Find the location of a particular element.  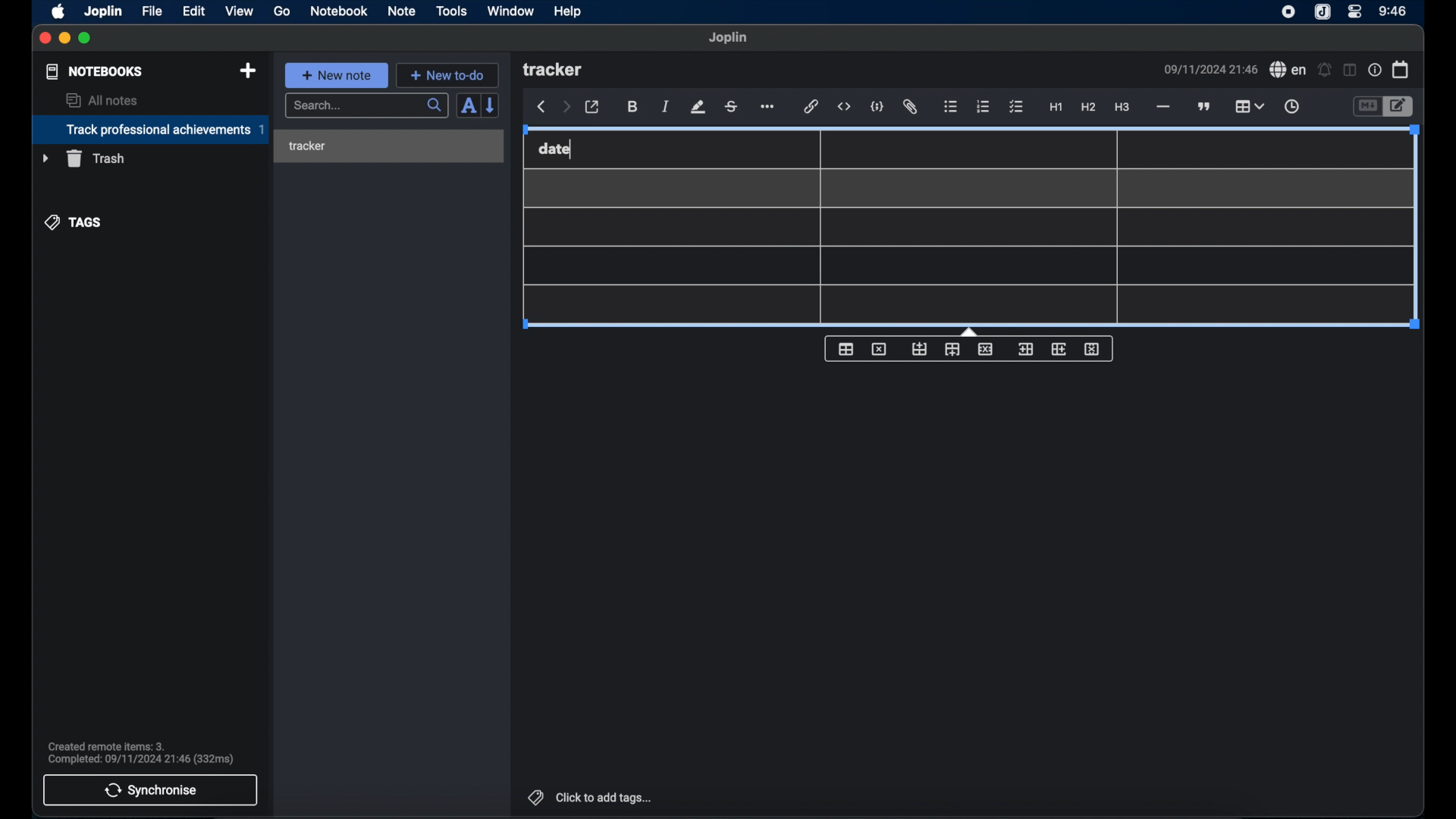

joplin icon is located at coordinates (1288, 13).